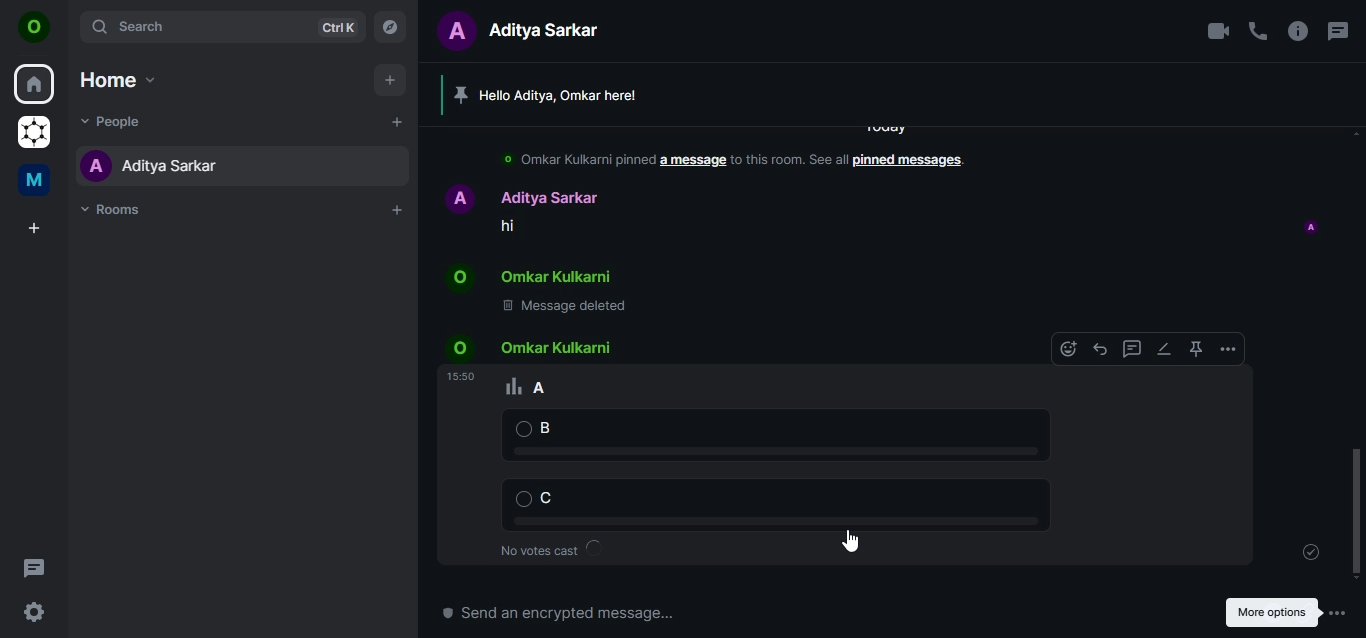 The width and height of the screenshot is (1366, 638). What do you see at coordinates (388, 80) in the screenshot?
I see `add` at bounding box center [388, 80].